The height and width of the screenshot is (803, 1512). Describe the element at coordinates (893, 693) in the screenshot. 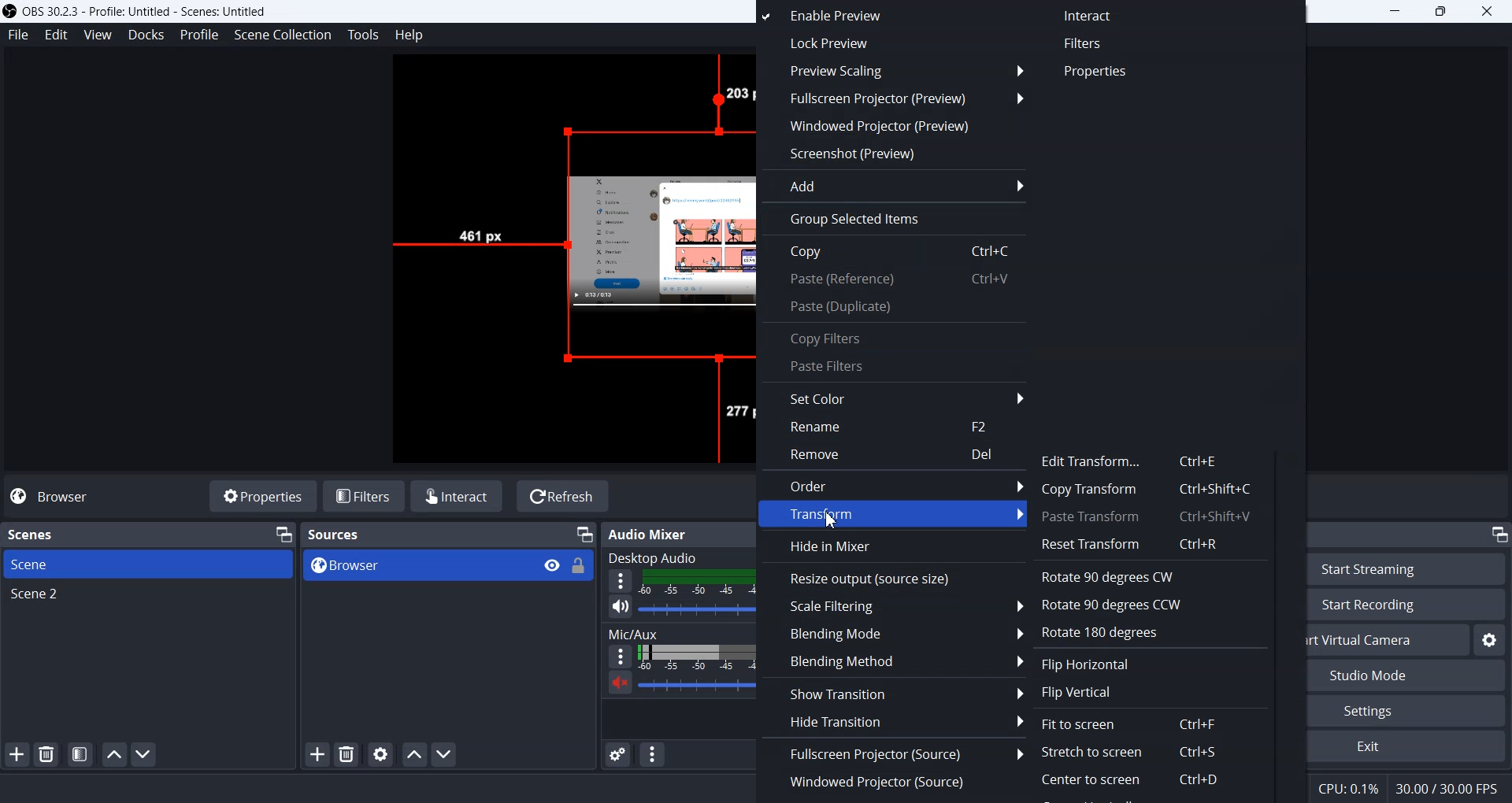

I see `Show Transition` at that location.